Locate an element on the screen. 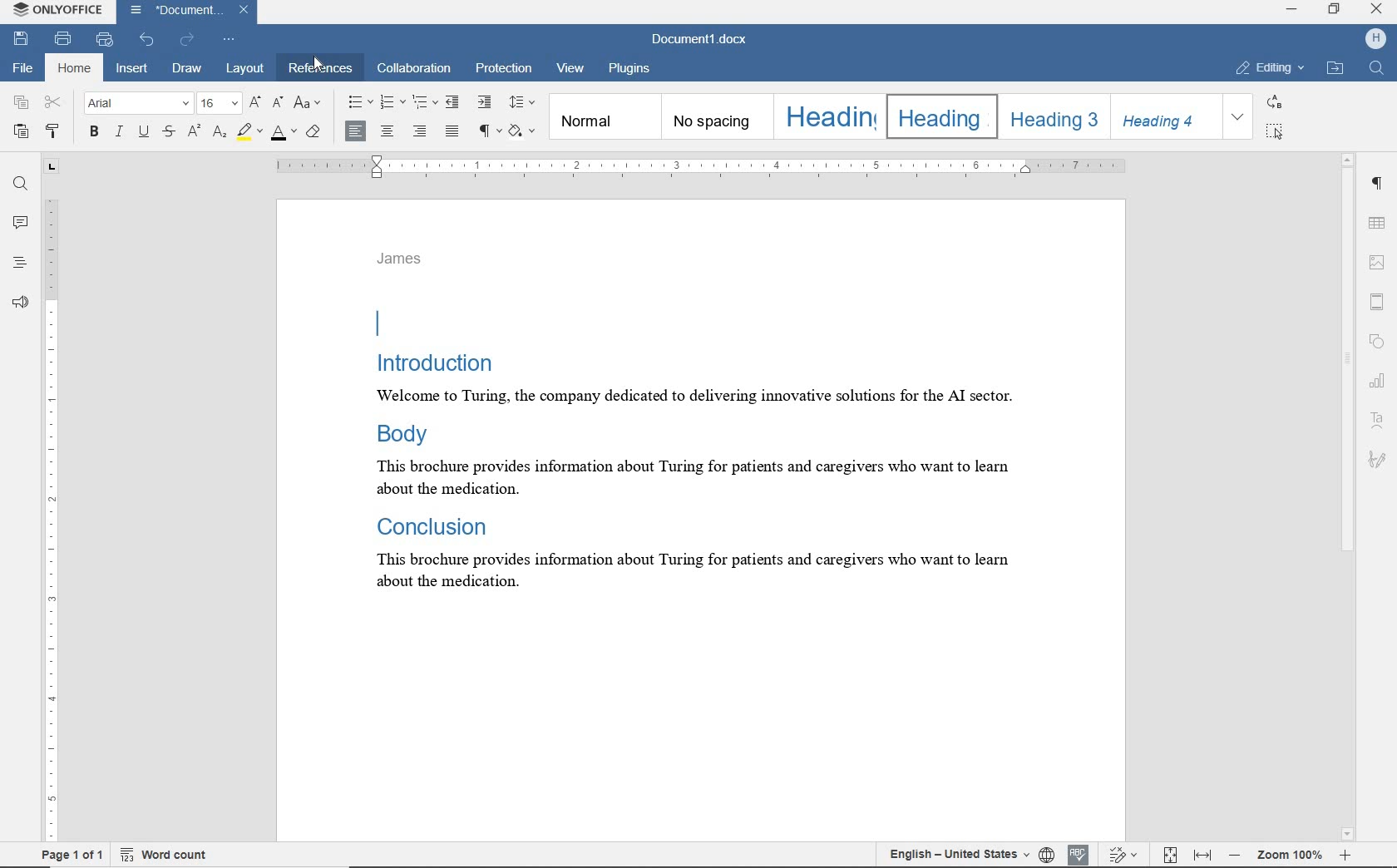  align left is located at coordinates (356, 131).